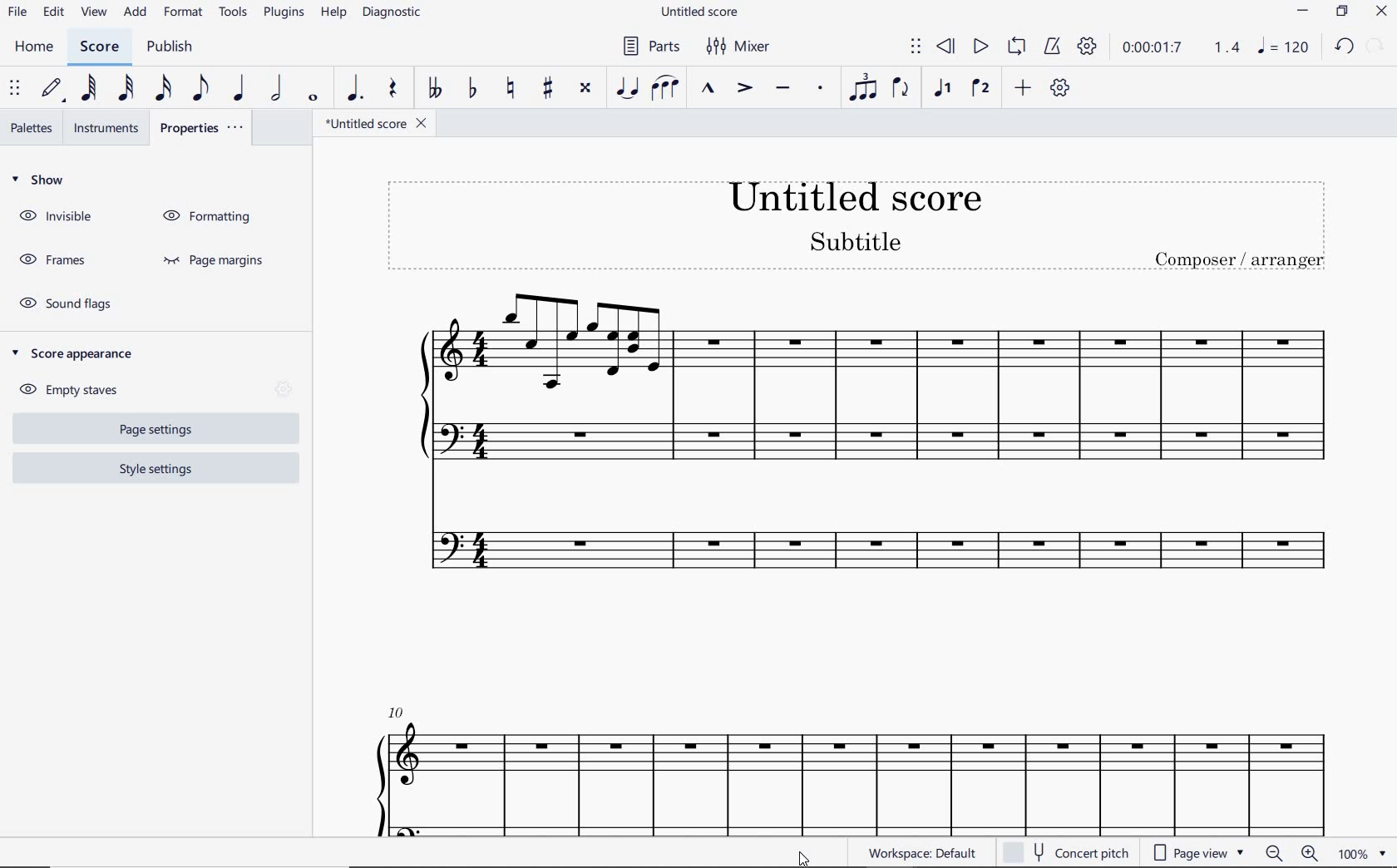 The width and height of the screenshot is (1397, 868). Describe the element at coordinates (356, 87) in the screenshot. I see `AUGMENTATION DOT` at that location.